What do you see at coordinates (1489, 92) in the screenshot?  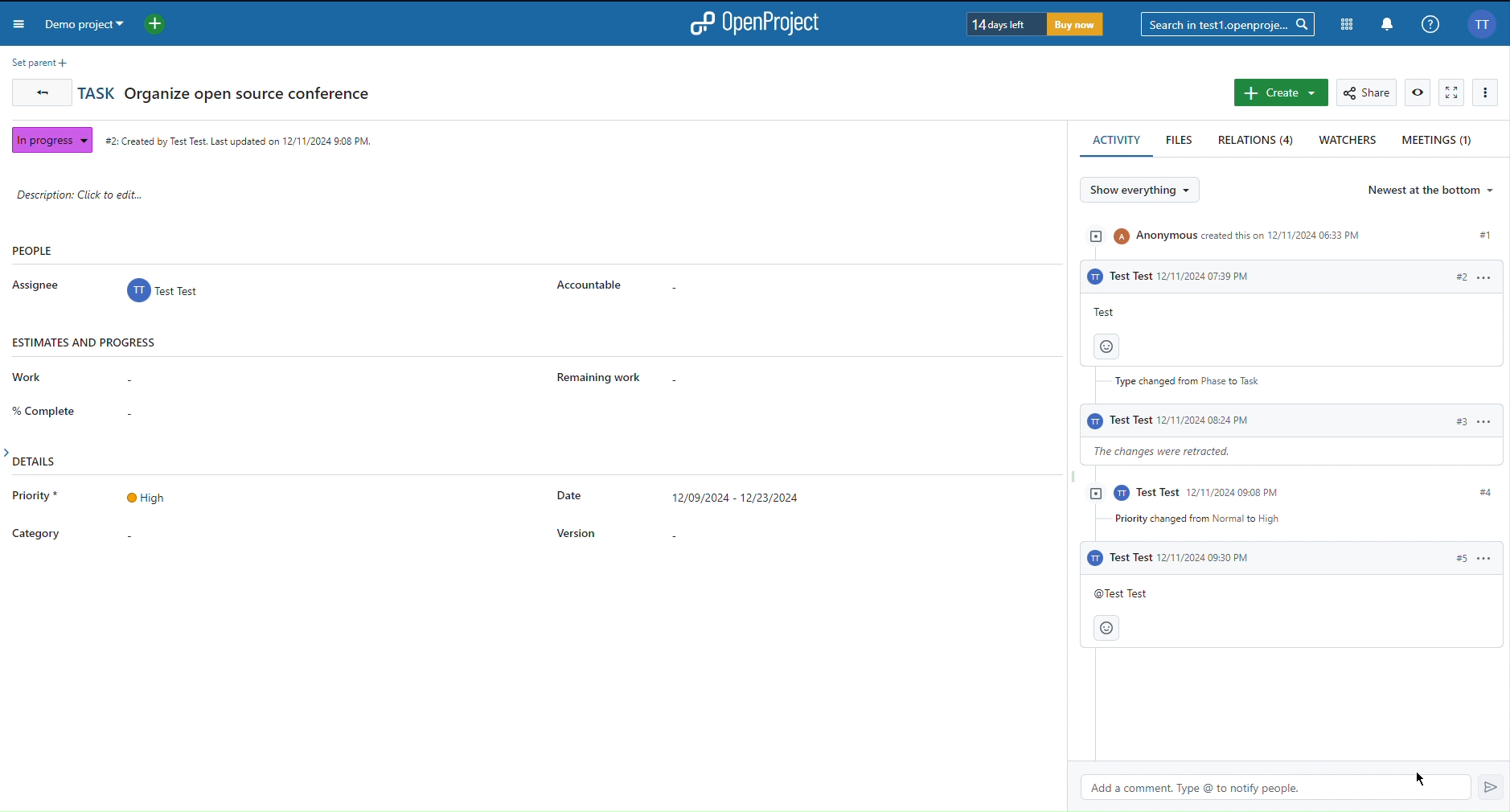 I see `Options` at bounding box center [1489, 92].